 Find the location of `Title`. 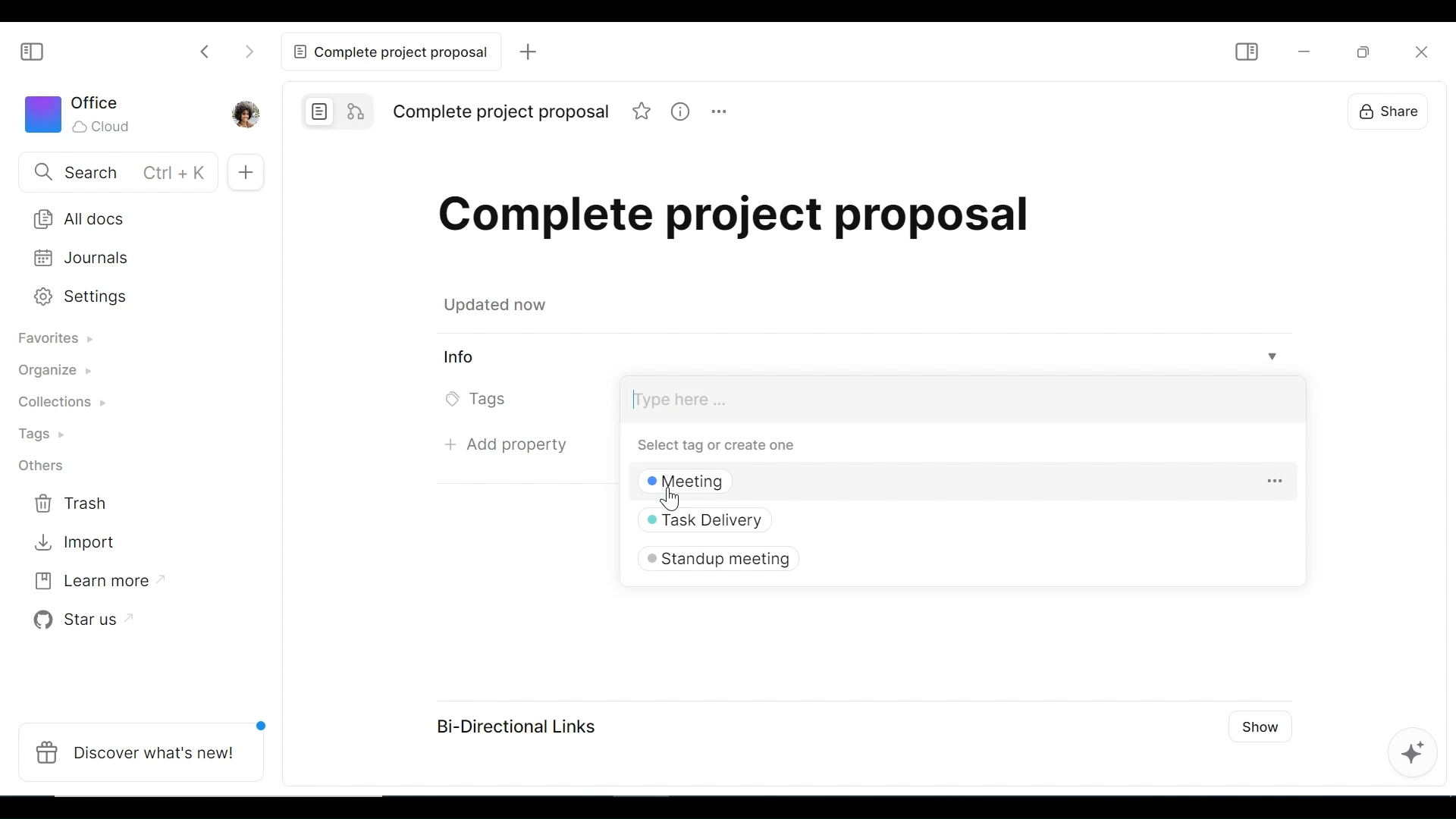

Title is located at coordinates (501, 110).